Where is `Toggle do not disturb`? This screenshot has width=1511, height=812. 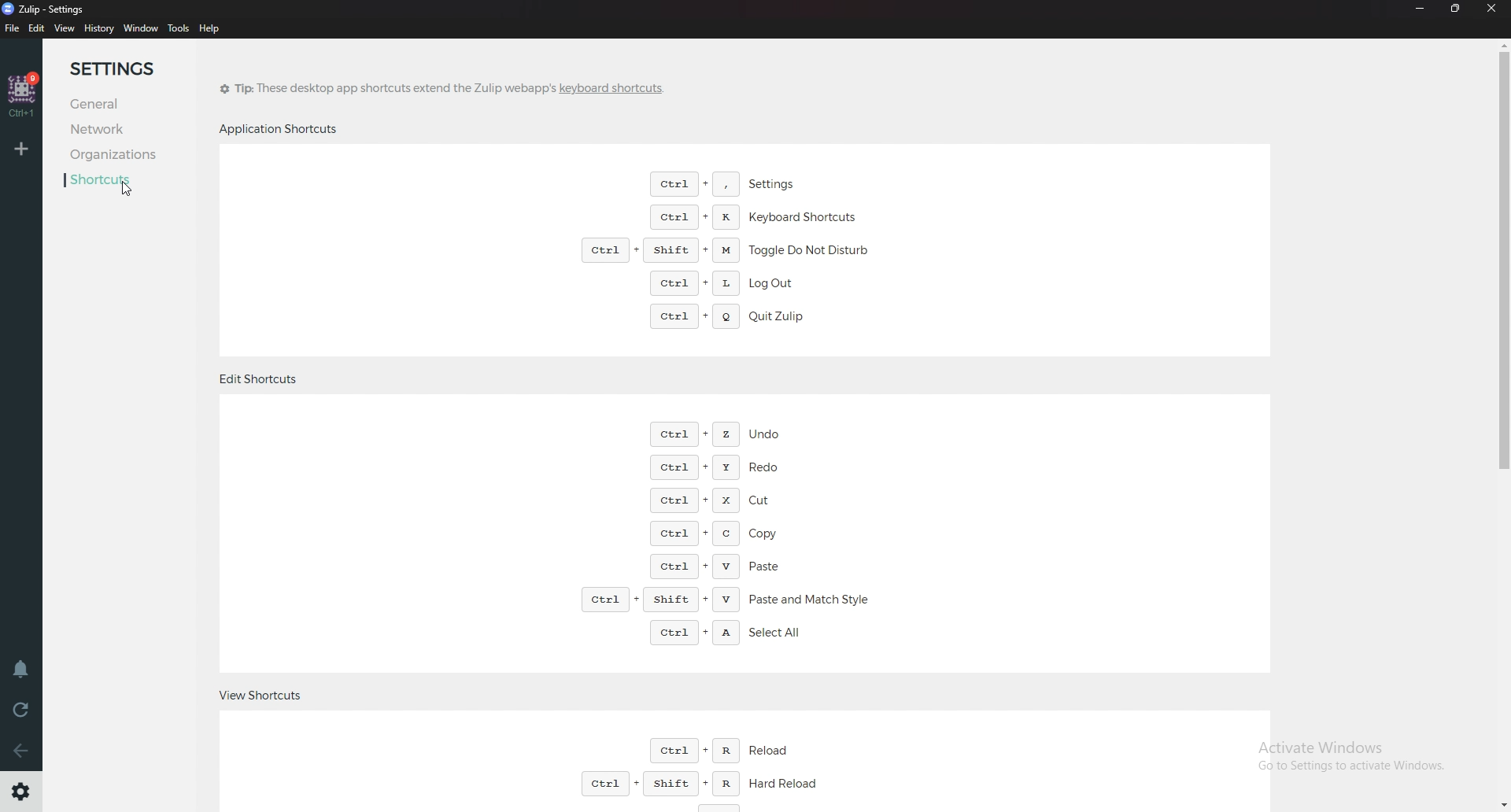
Toggle do not disturb is located at coordinates (723, 249).